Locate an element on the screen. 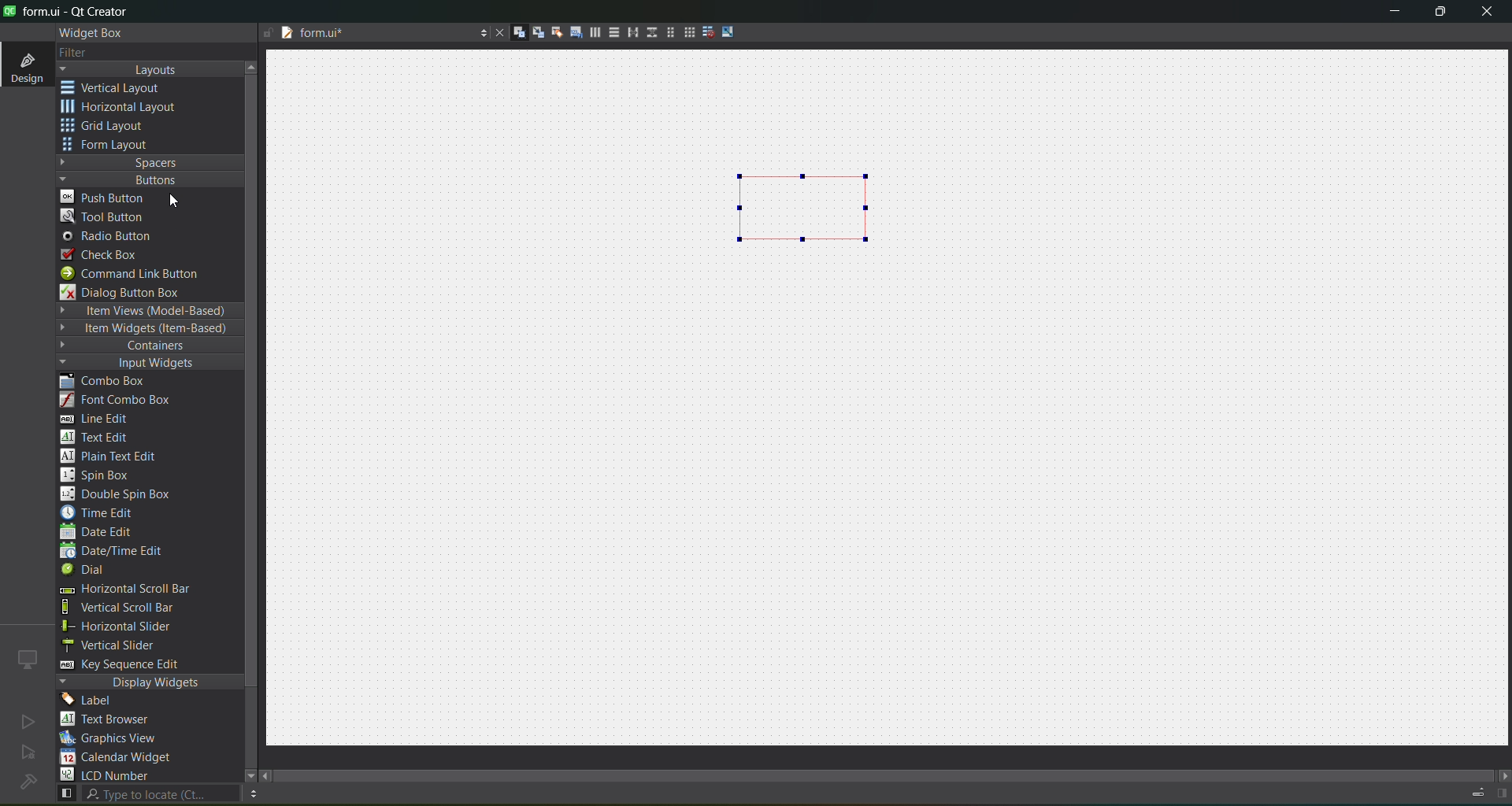 The width and height of the screenshot is (1512, 806). text is located at coordinates (114, 720).